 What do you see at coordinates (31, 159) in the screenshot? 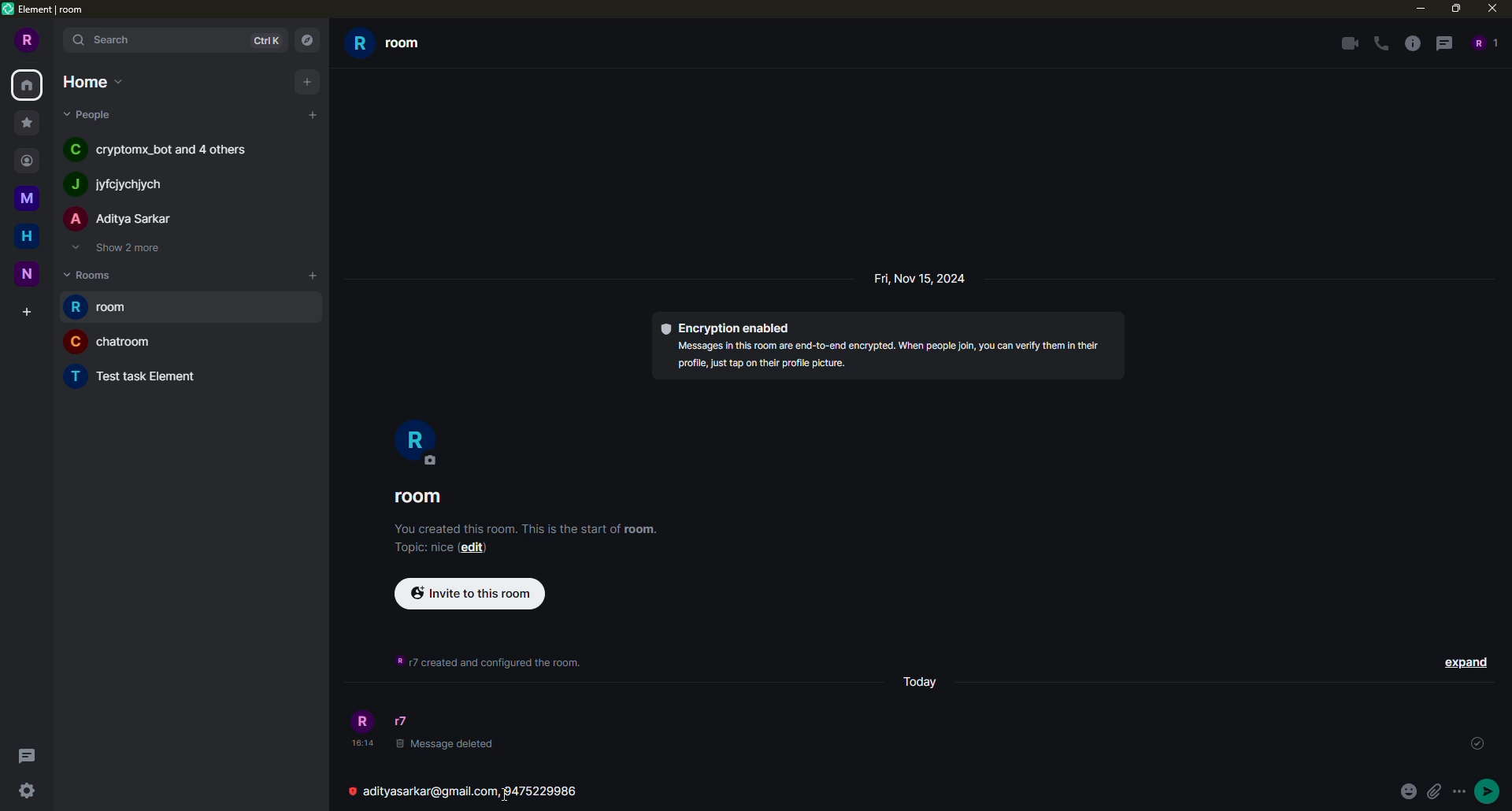
I see `contact` at bounding box center [31, 159].